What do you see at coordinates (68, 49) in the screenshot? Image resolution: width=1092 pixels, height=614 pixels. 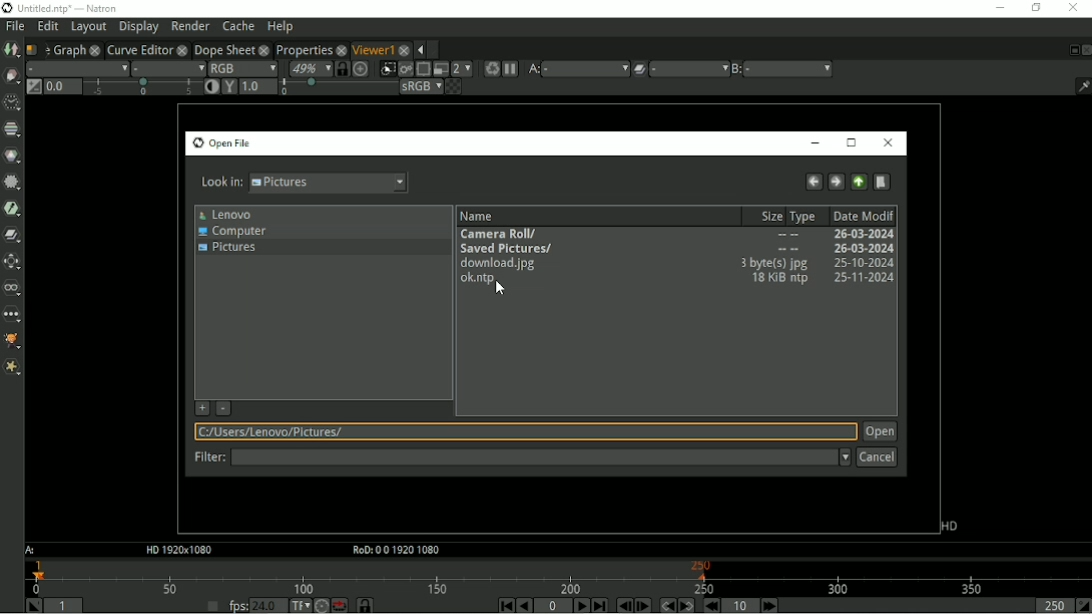 I see `Graph` at bounding box center [68, 49].